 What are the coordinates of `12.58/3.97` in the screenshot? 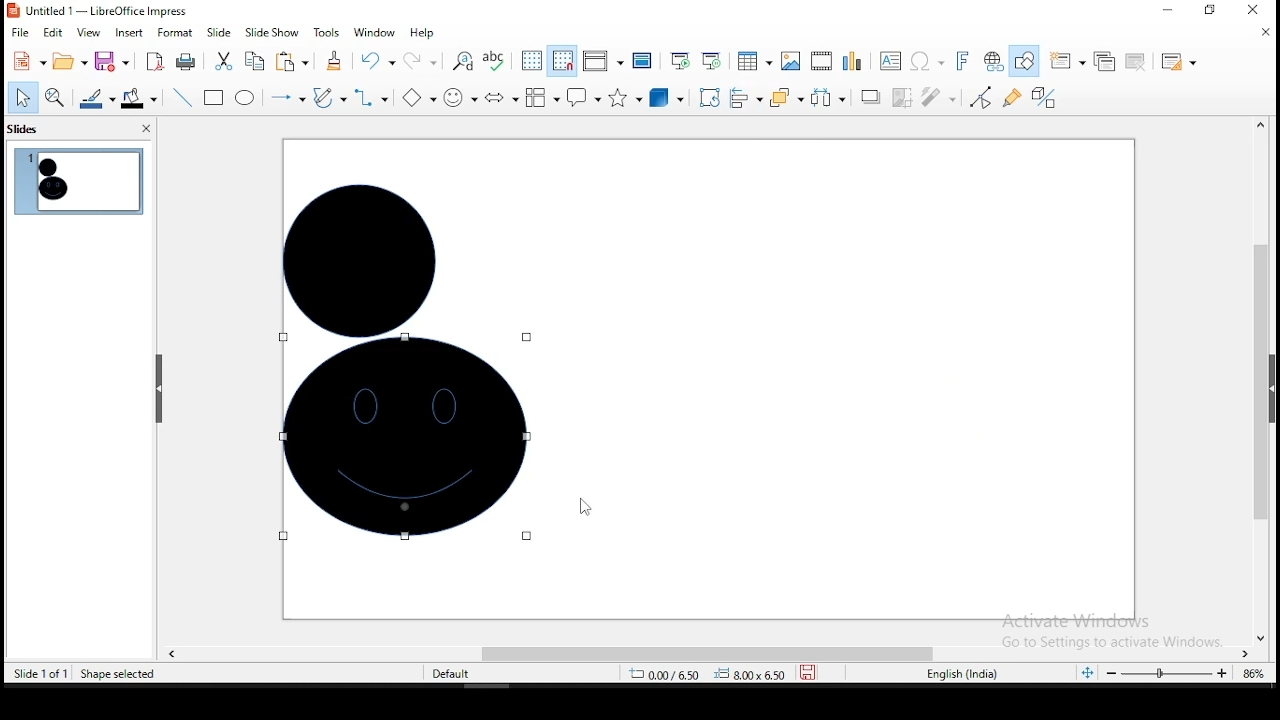 It's located at (673, 673).